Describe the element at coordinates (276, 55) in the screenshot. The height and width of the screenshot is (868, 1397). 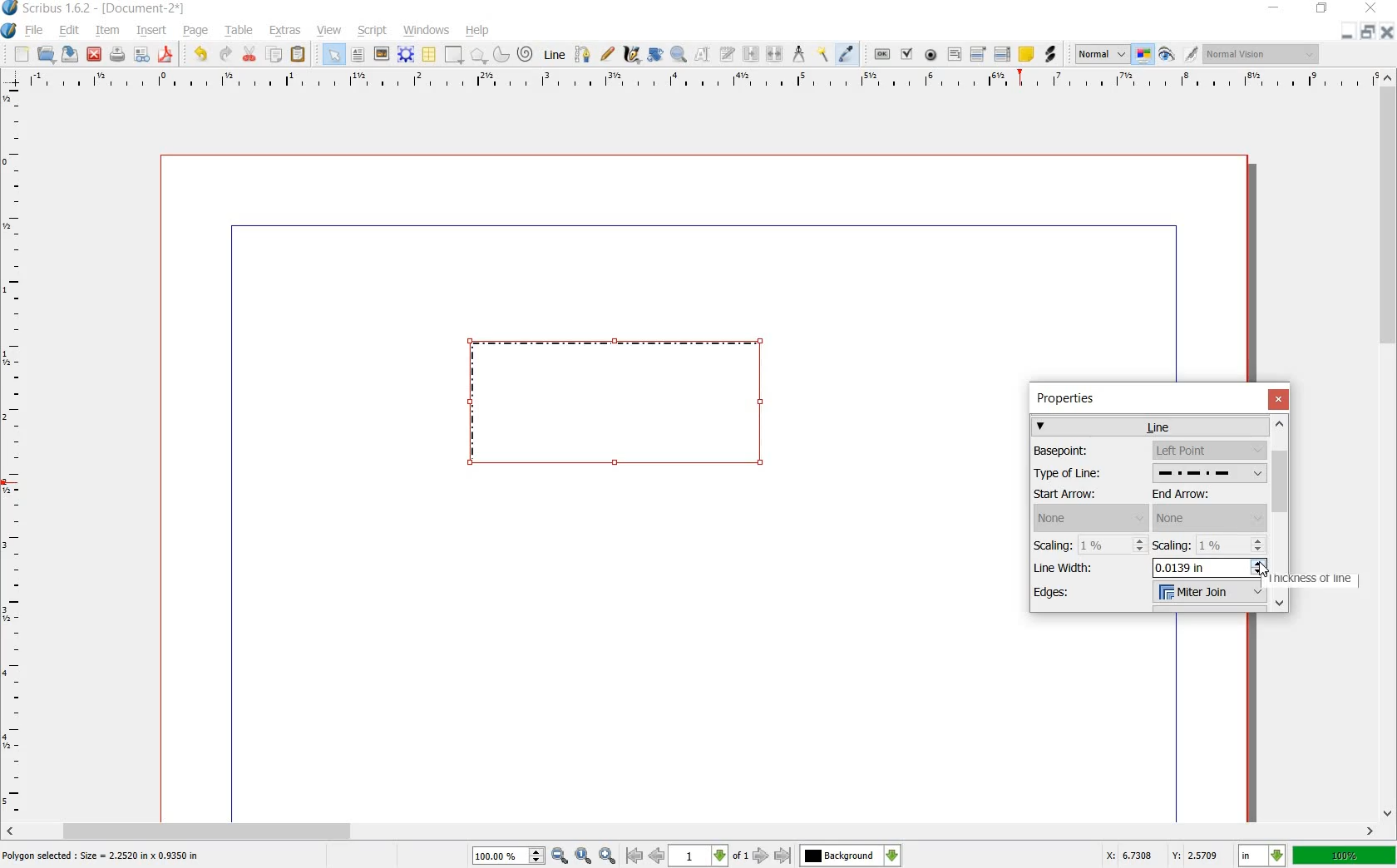
I see `COPY` at that location.